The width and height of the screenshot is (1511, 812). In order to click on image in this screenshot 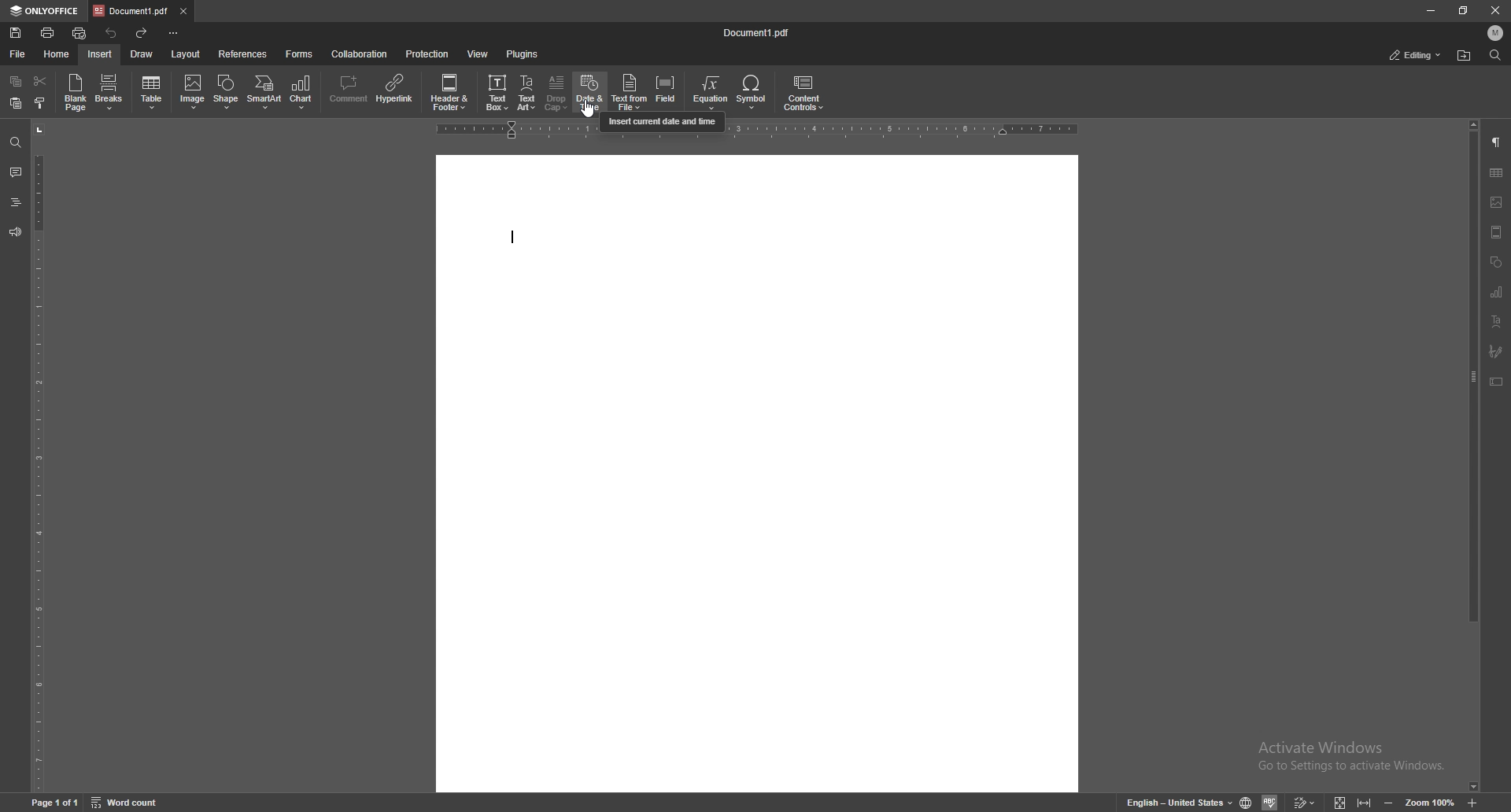, I will do `click(190, 92)`.